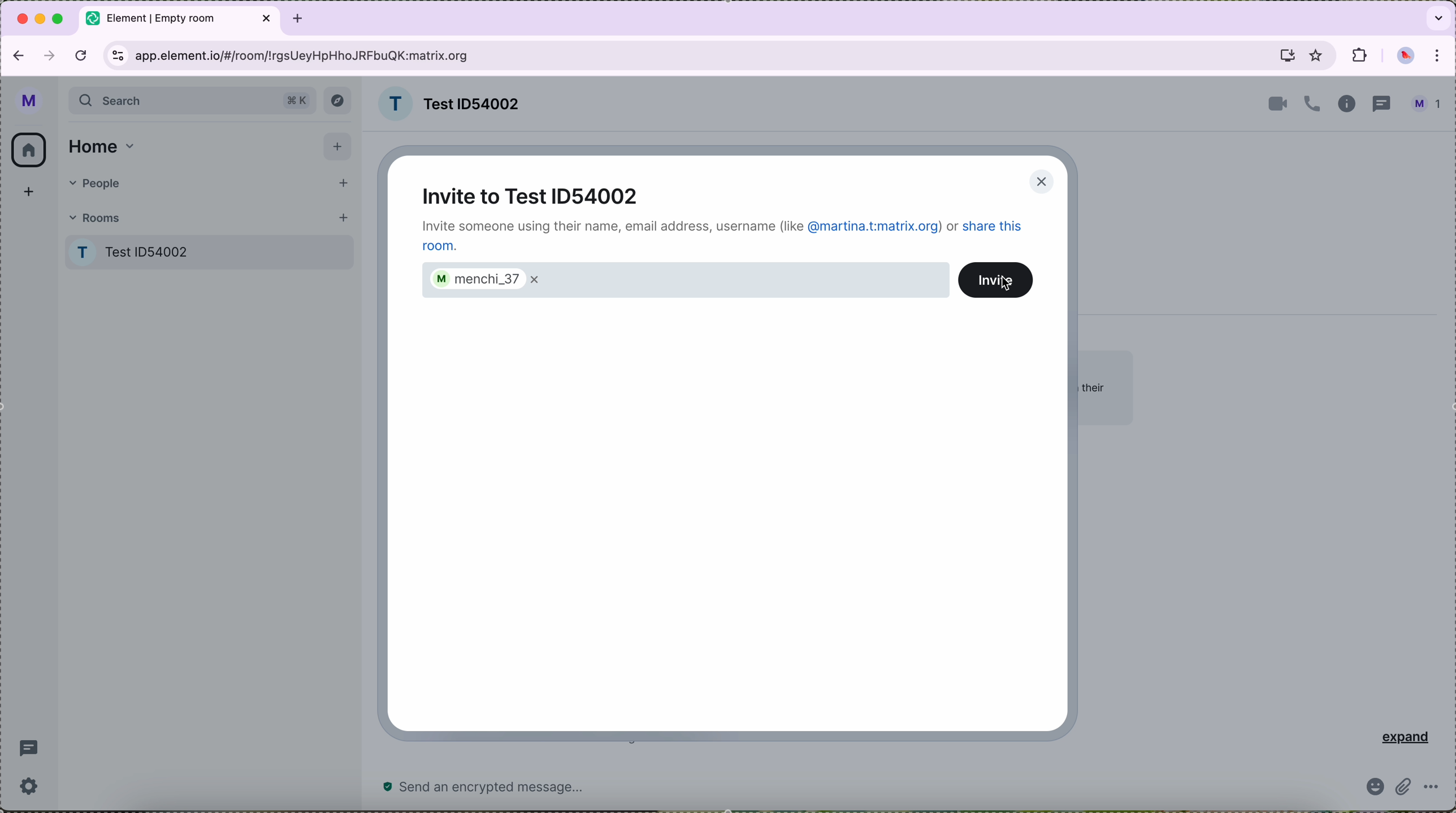 This screenshot has height=813, width=1456. I want to click on URL, so click(304, 55).